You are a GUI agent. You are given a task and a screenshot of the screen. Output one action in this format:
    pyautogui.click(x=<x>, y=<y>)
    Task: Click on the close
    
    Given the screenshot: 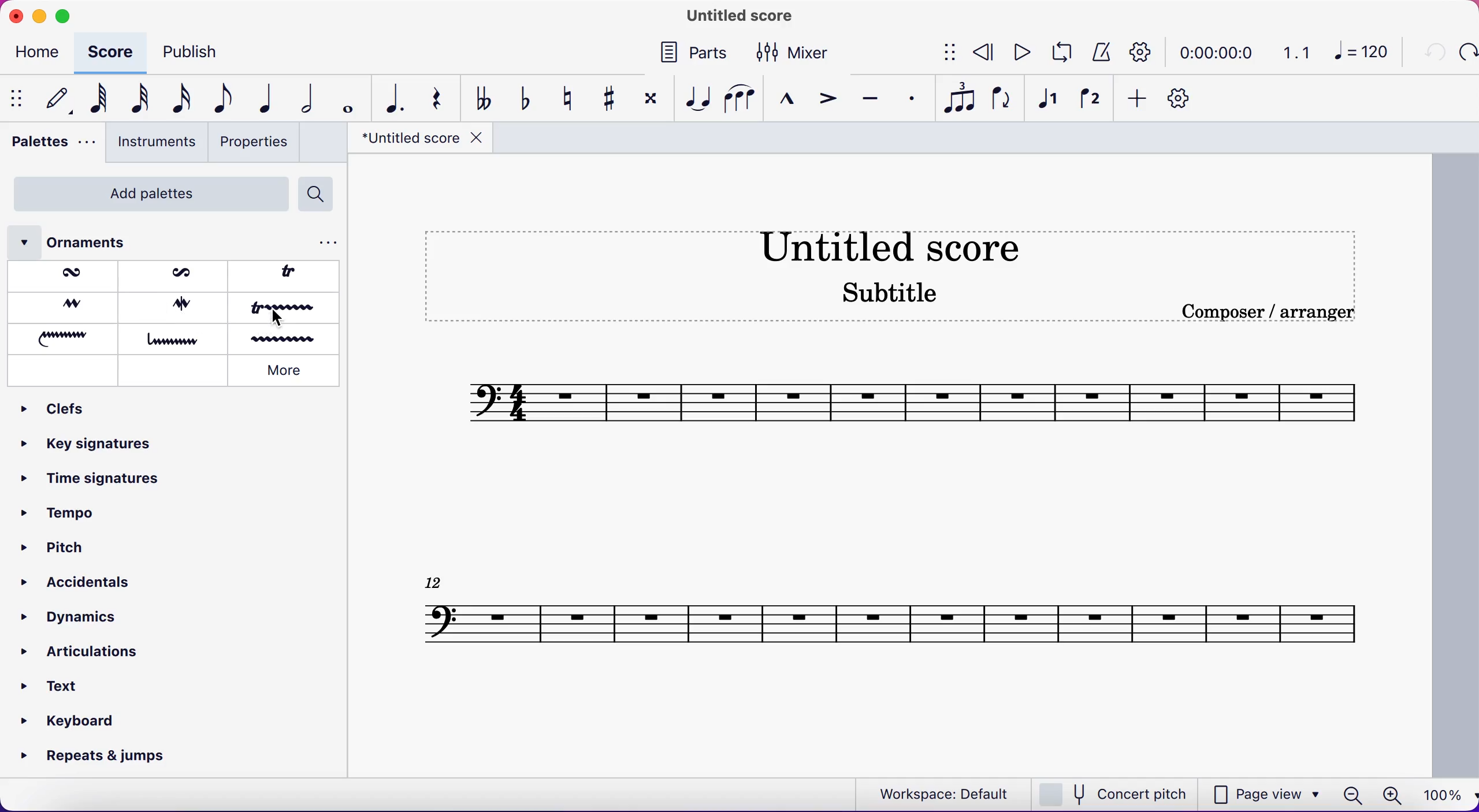 What is the action you would take?
    pyautogui.click(x=15, y=15)
    